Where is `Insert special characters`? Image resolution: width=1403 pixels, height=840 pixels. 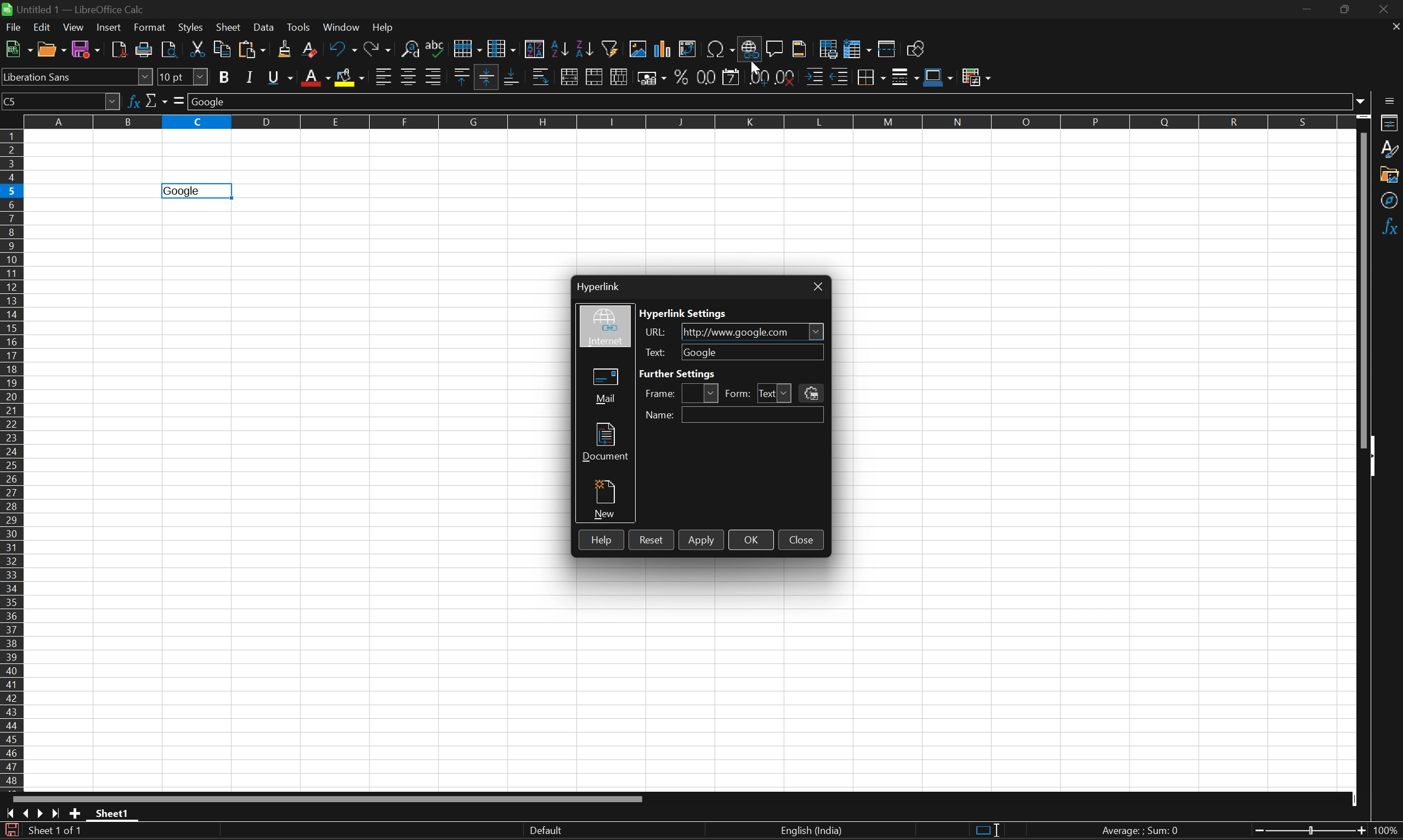
Insert special characters is located at coordinates (720, 50).